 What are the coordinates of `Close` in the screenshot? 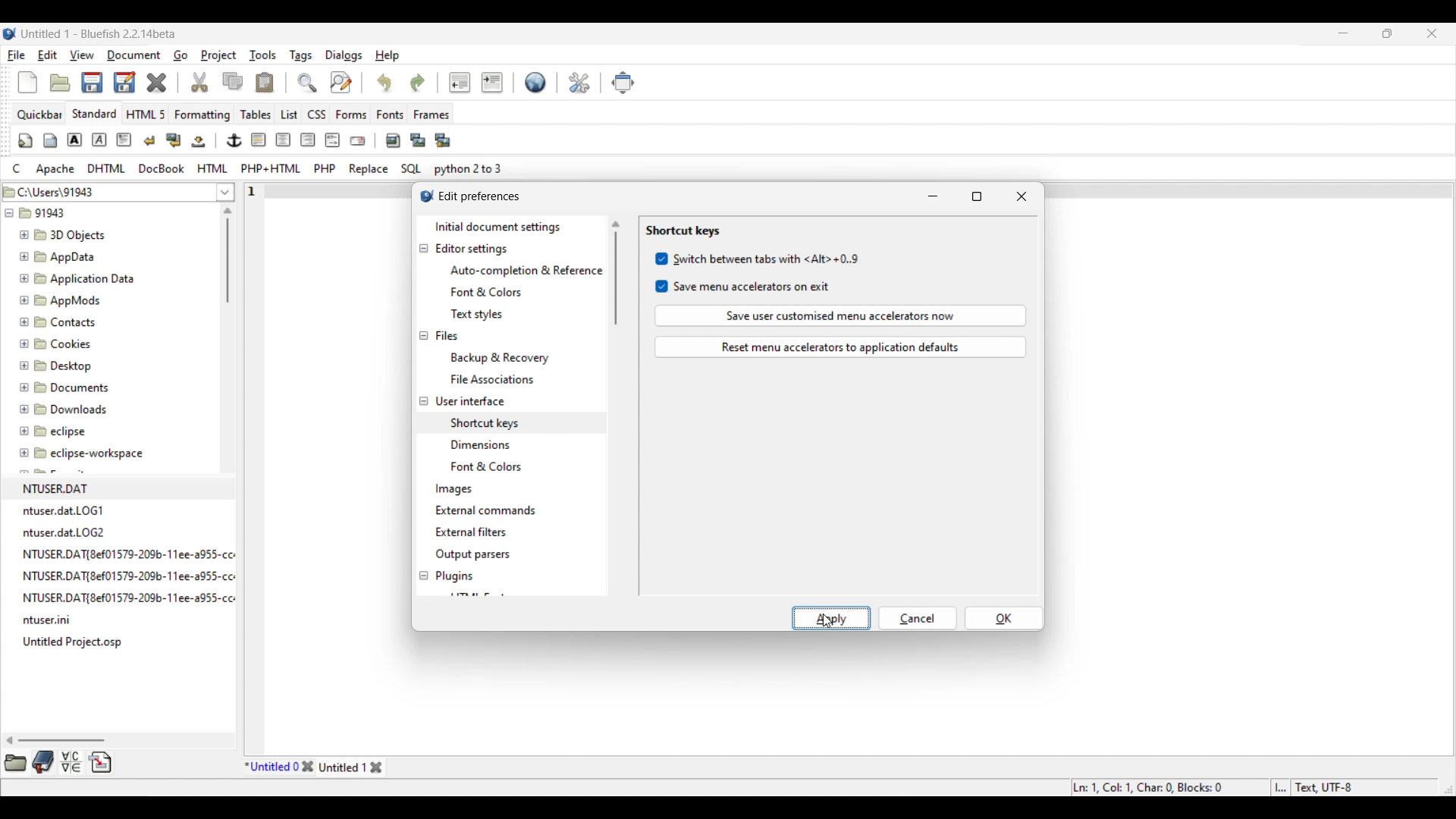 It's located at (307, 767).